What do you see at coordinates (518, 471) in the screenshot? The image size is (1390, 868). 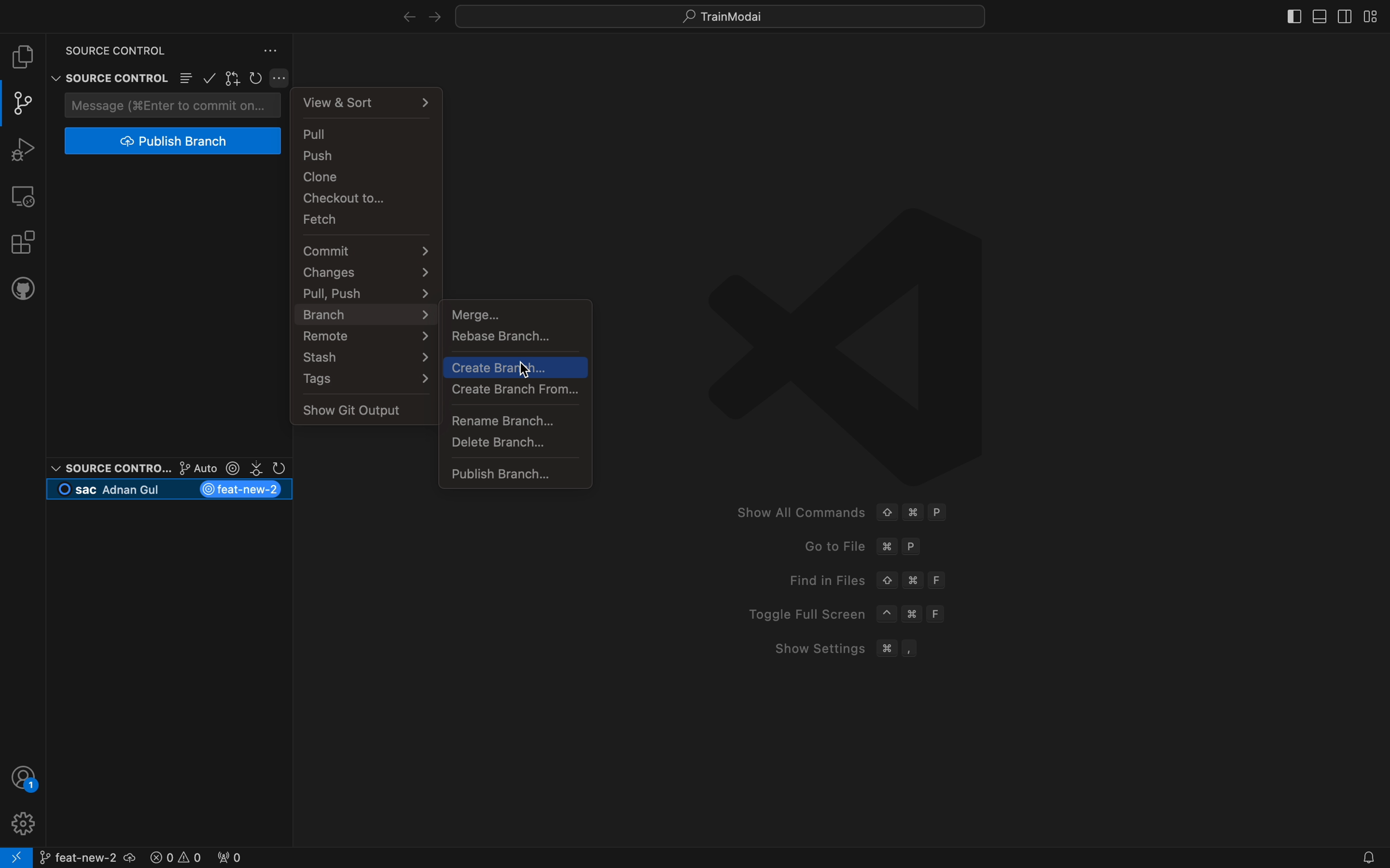 I see `publish` at bounding box center [518, 471].